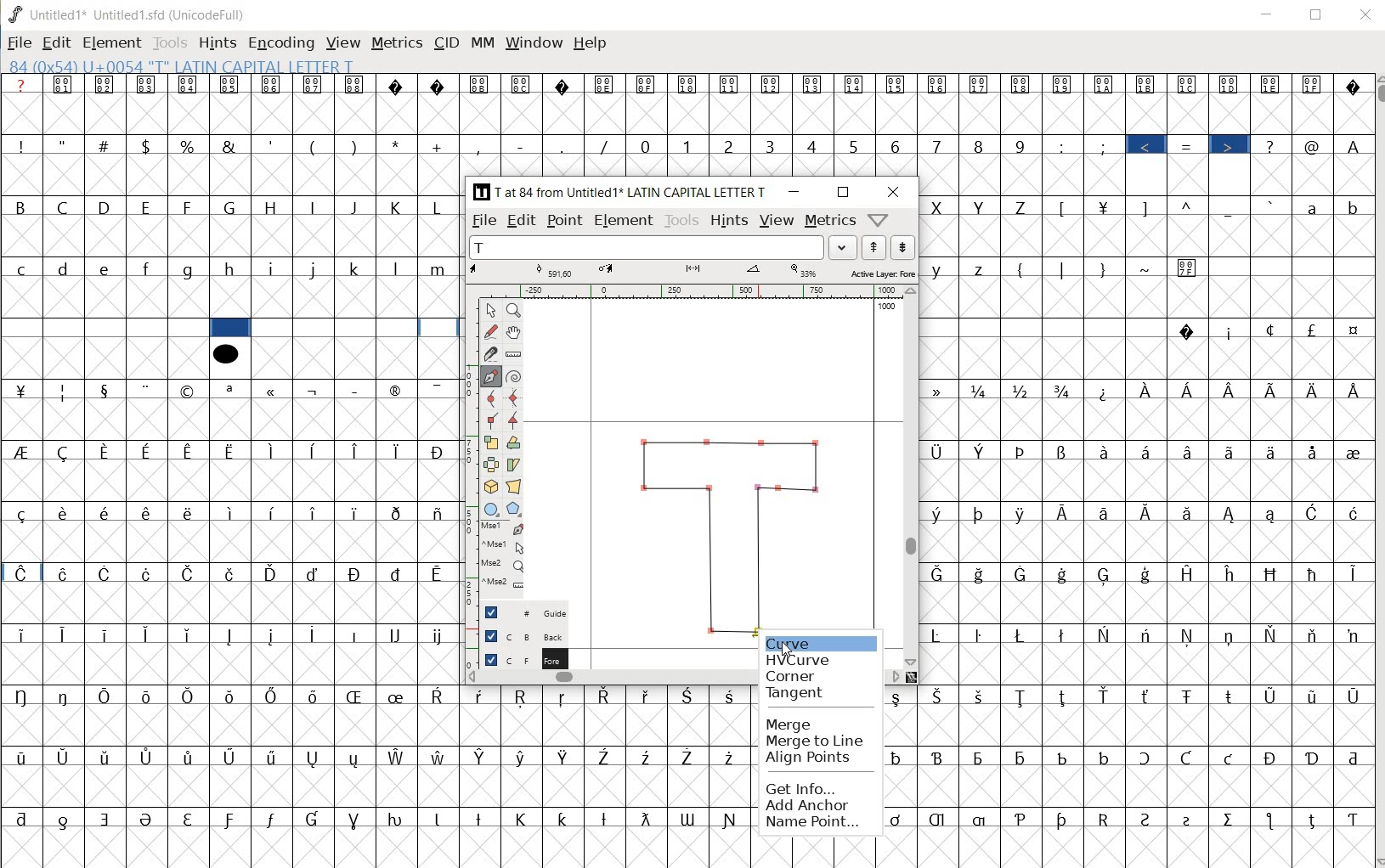 The image size is (1385, 868). What do you see at coordinates (1274, 573) in the screenshot?
I see `Symbol` at bounding box center [1274, 573].